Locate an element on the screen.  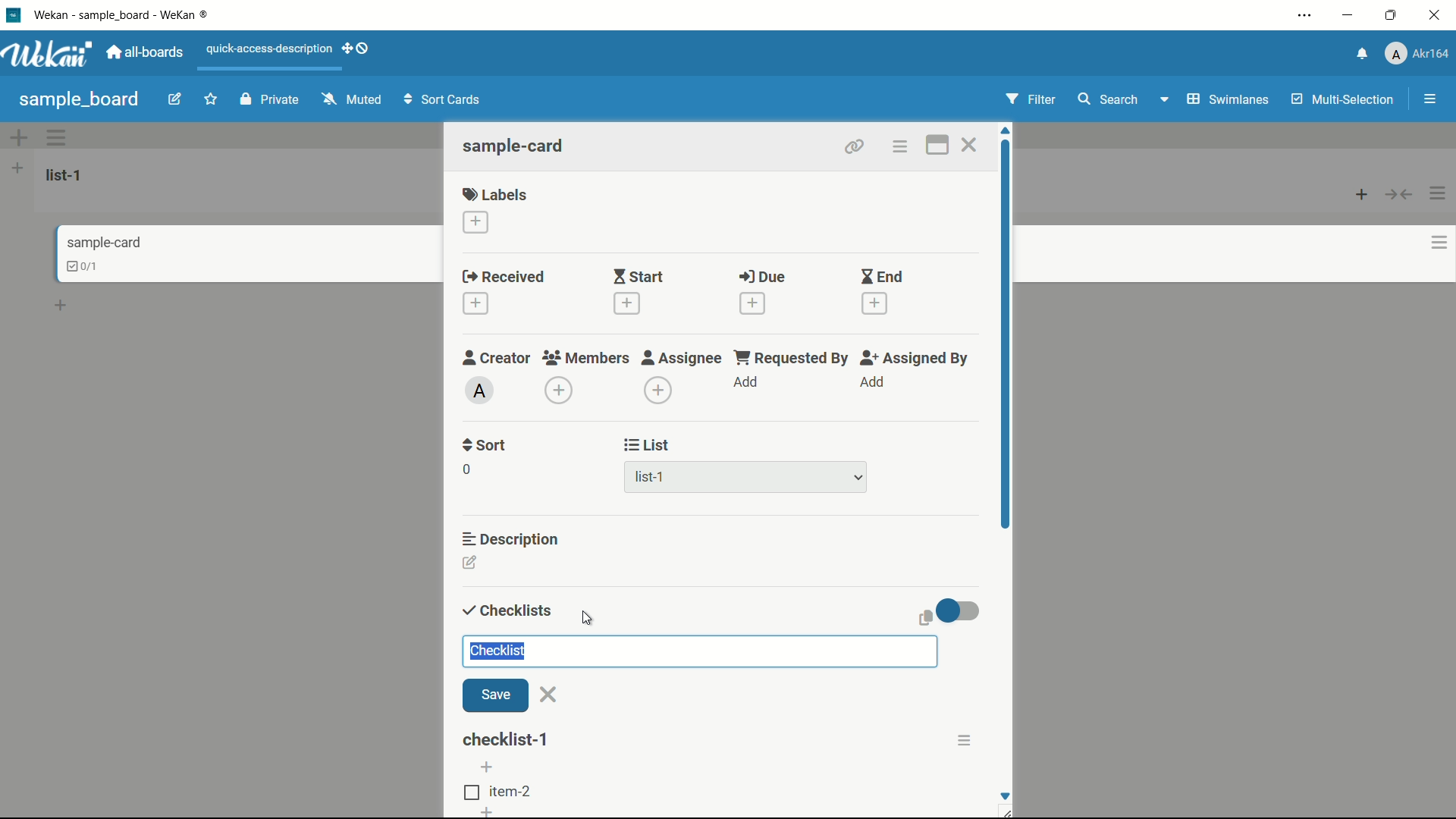
labels is located at coordinates (495, 193).